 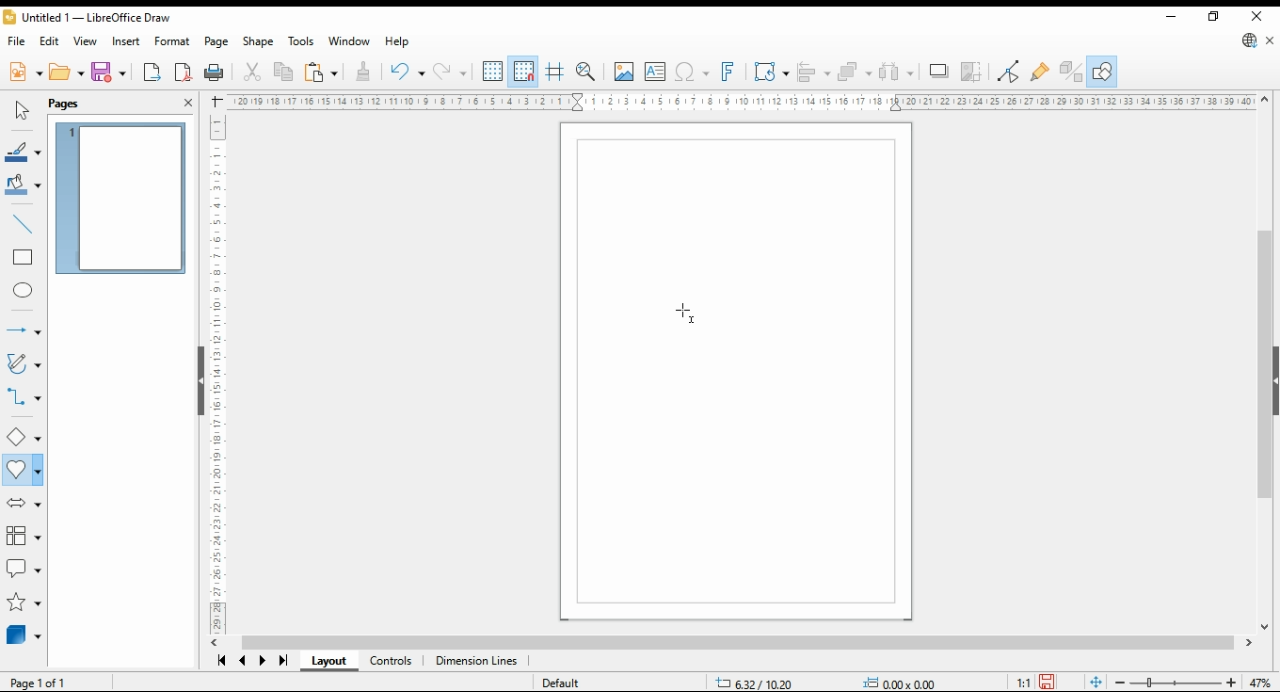 What do you see at coordinates (23, 399) in the screenshot?
I see `connectors and ` at bounding box center [23, 399].